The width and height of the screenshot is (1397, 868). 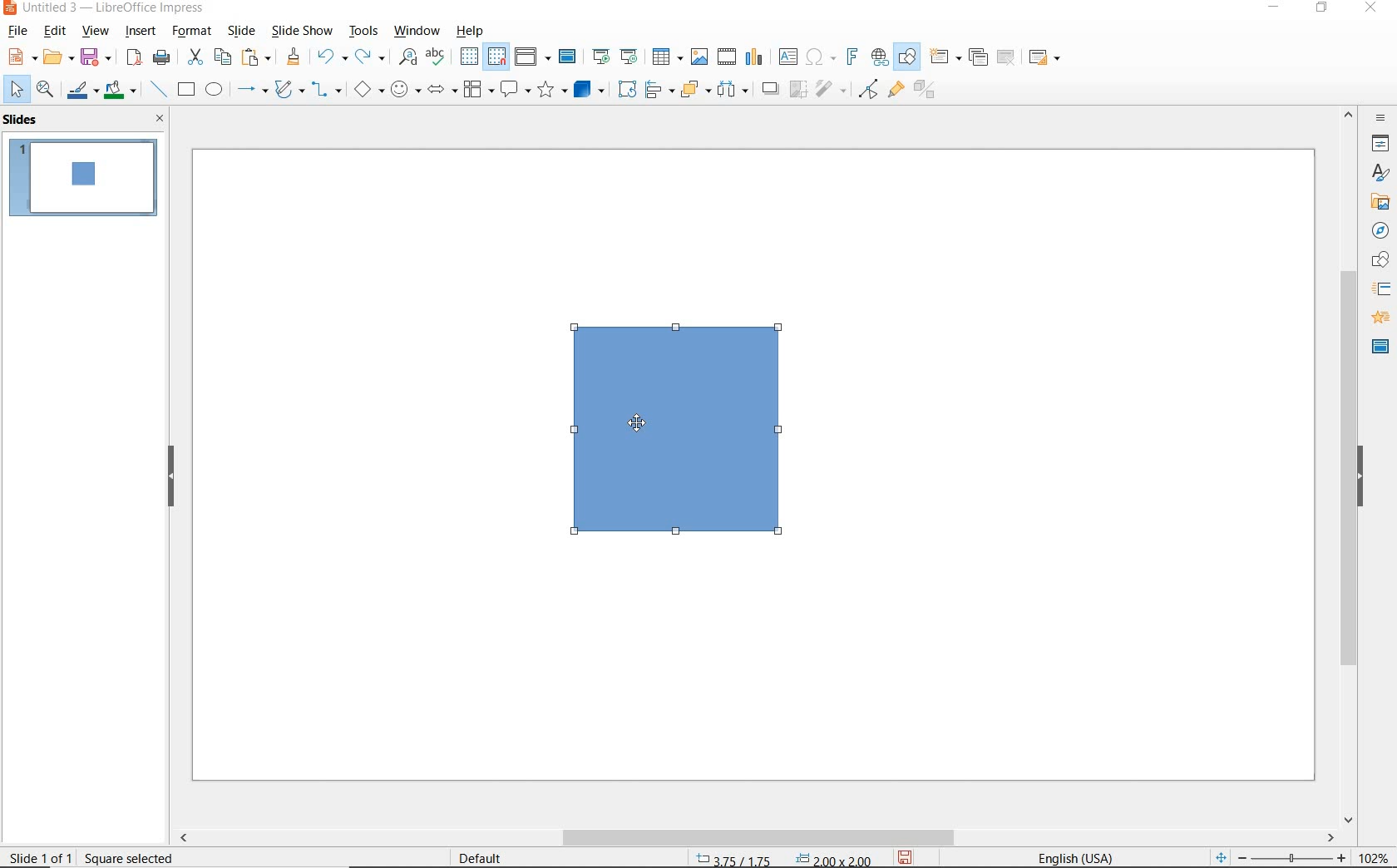 I want to click on file name, so click(x=106, y=9).